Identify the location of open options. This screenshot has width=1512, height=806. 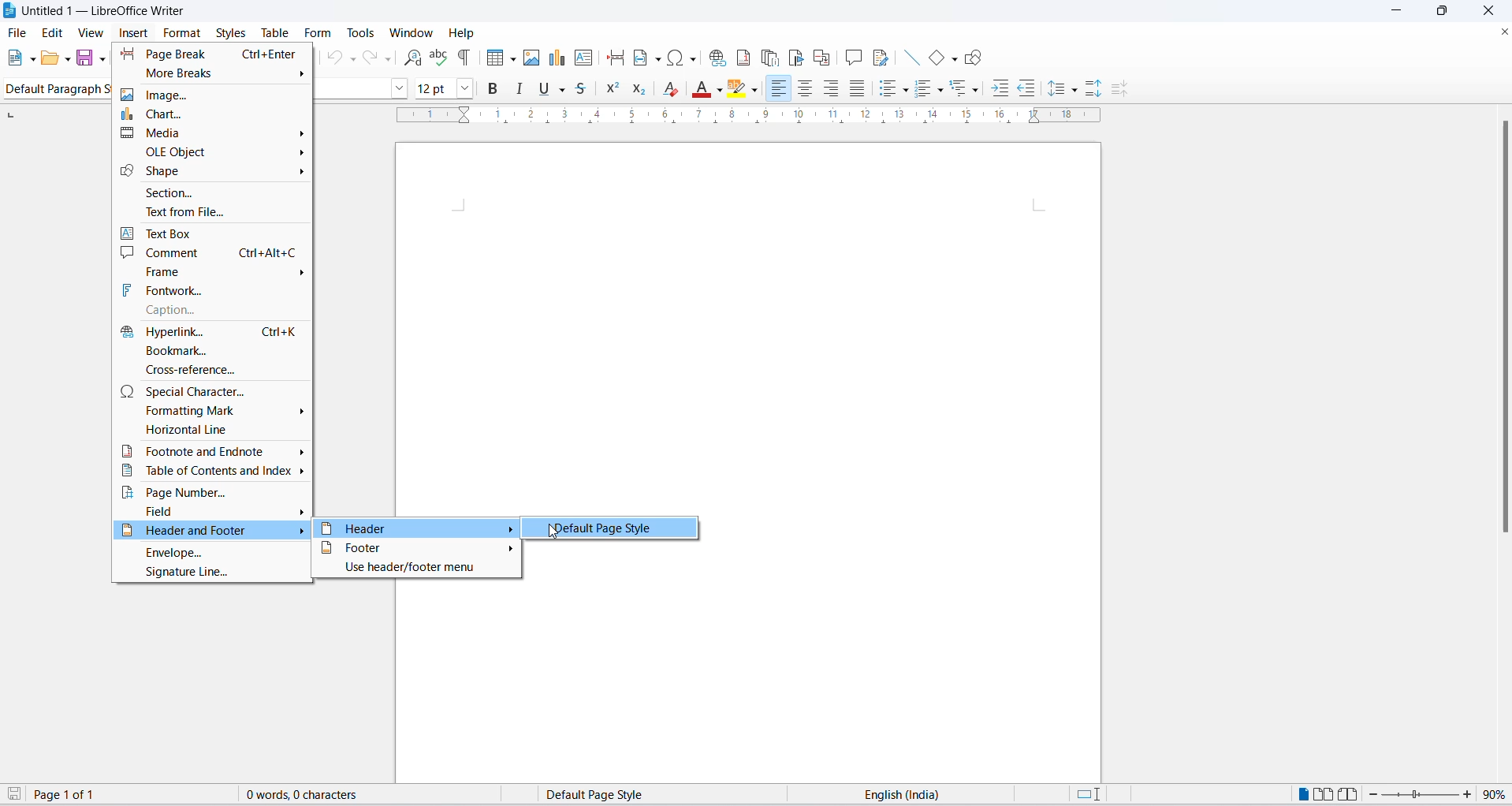
(69, 58).